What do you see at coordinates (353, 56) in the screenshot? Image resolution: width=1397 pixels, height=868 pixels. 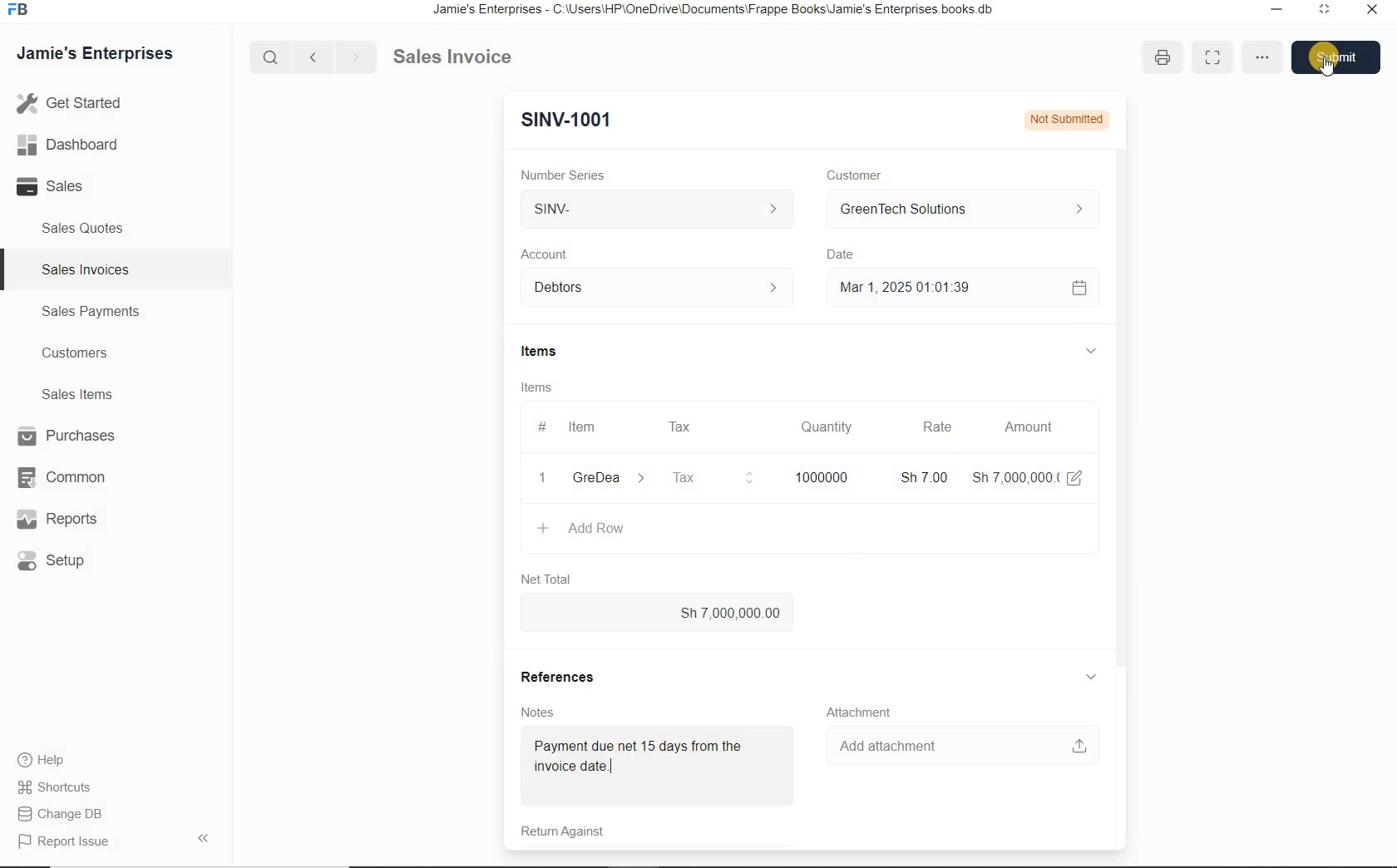 I see `next page` at bounding box center [353, 56].